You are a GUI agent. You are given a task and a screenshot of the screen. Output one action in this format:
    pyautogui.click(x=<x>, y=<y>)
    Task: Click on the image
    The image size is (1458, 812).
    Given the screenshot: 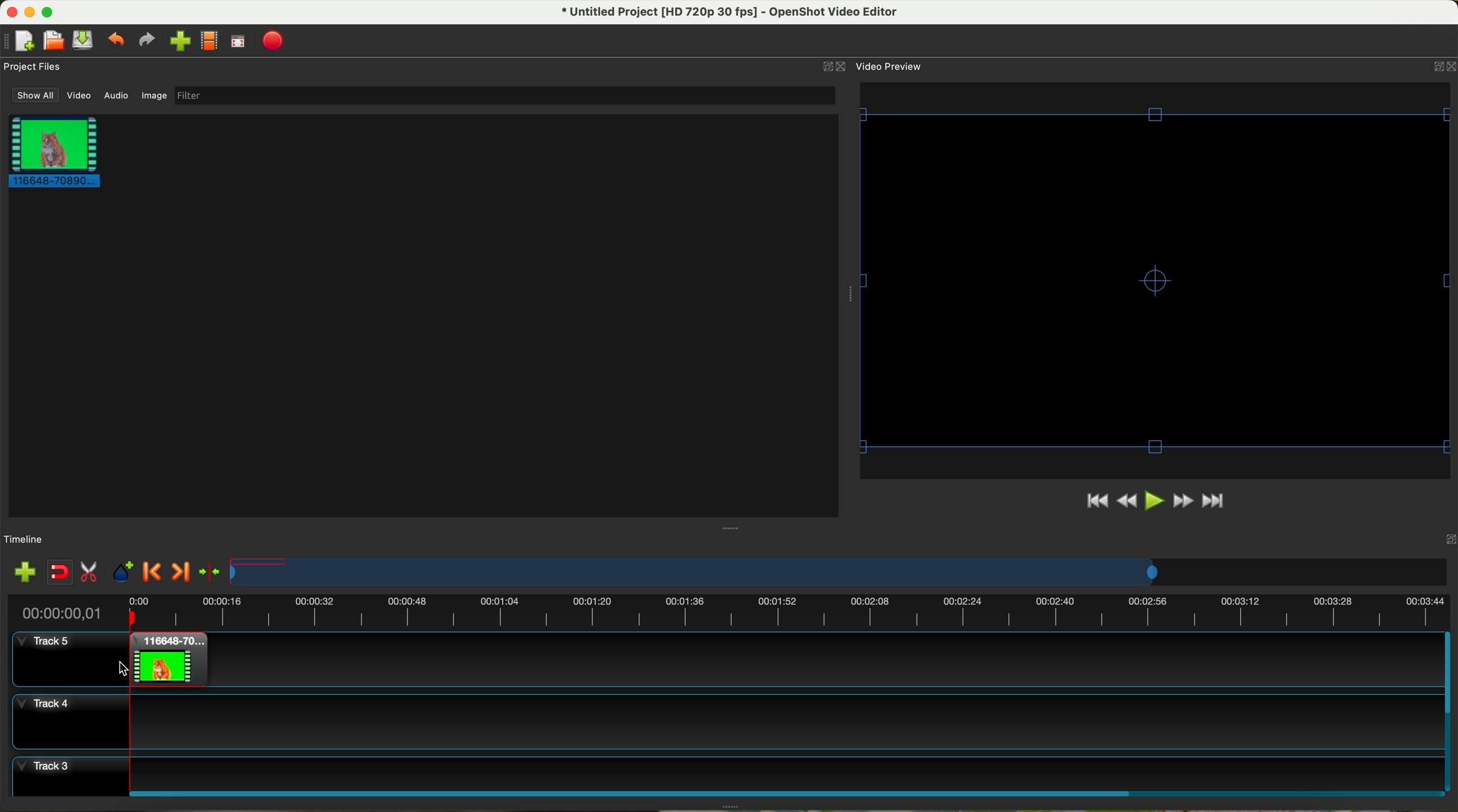 What is the action you would take?
    pyautogui.click(x=154, y=97)
    